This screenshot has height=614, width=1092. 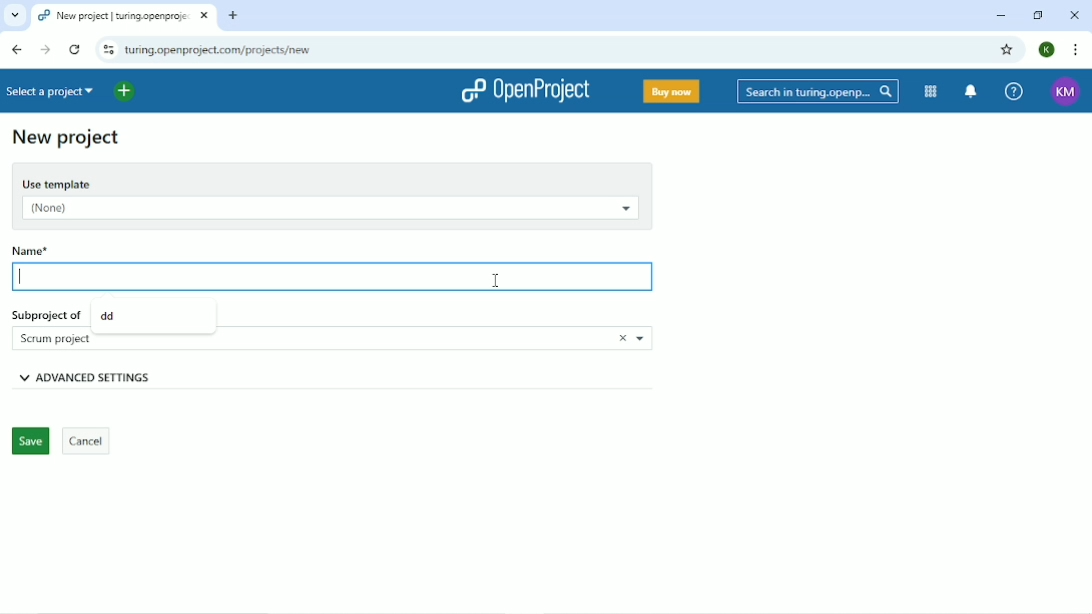 I want to click on Modules, so click(x=932, y=92).